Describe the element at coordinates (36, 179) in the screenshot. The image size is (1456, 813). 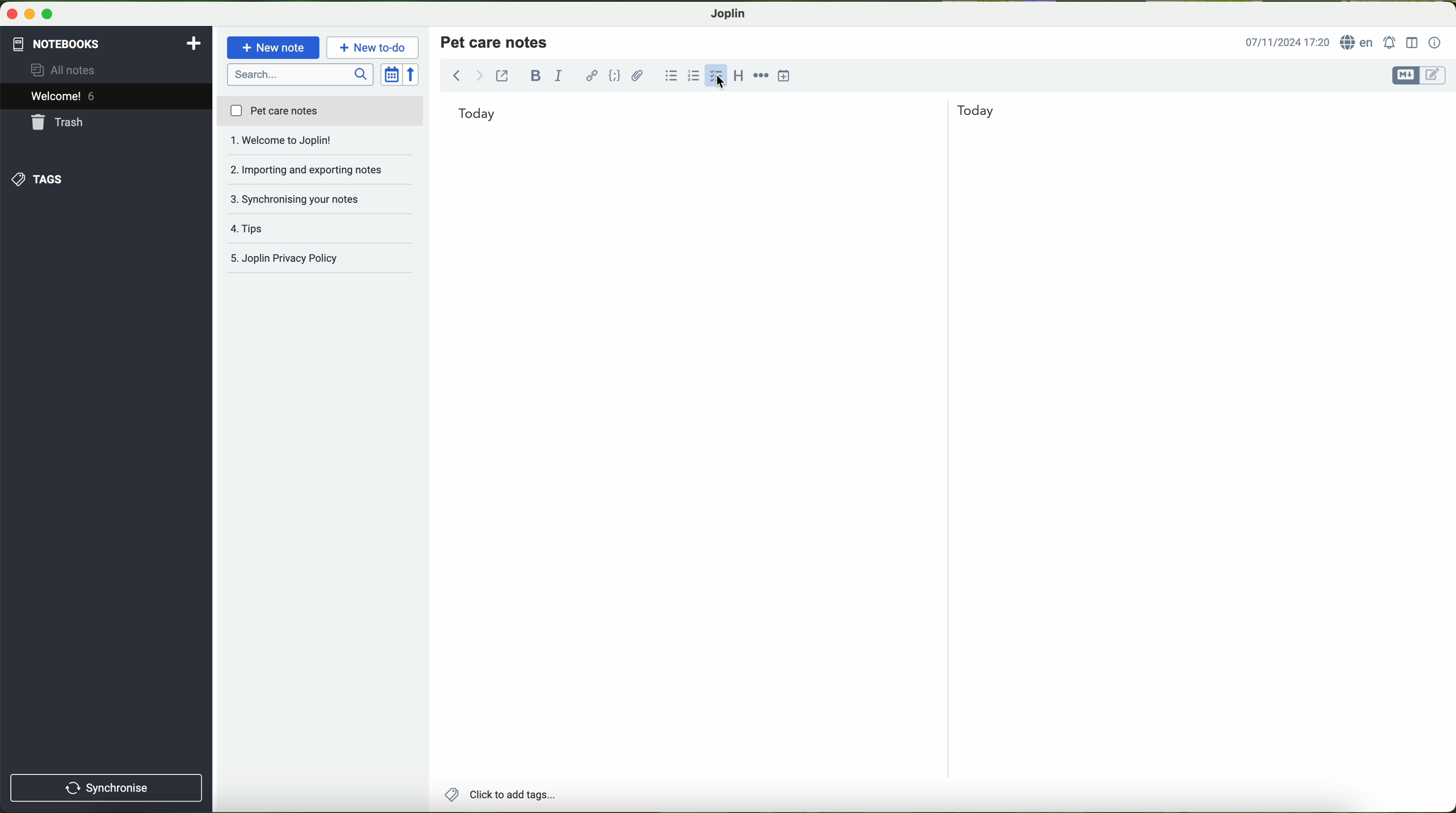
I see `tags` at that location.